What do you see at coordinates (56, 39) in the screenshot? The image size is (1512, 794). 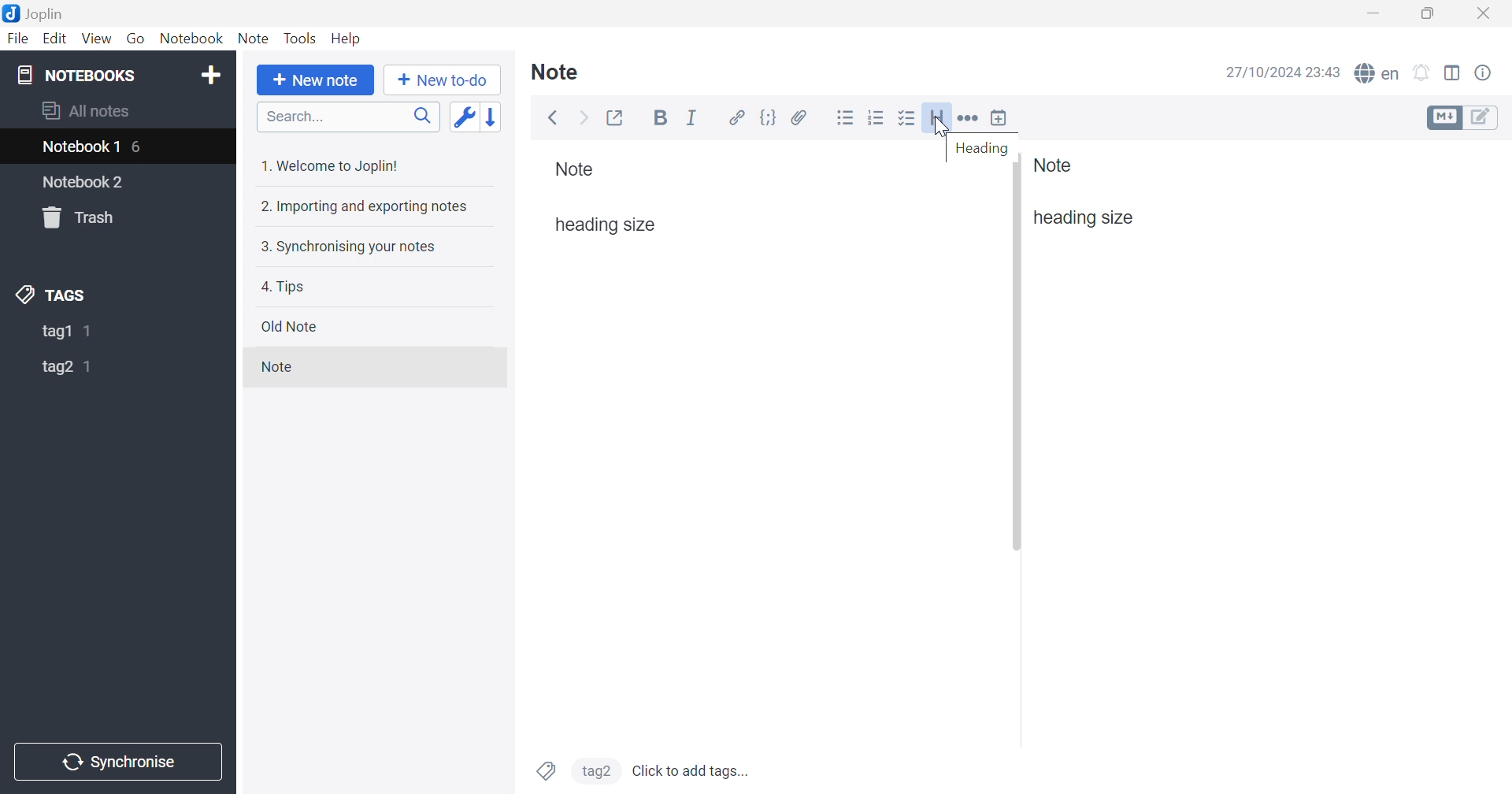 I see `Edit` at bounding box center [56, 39].